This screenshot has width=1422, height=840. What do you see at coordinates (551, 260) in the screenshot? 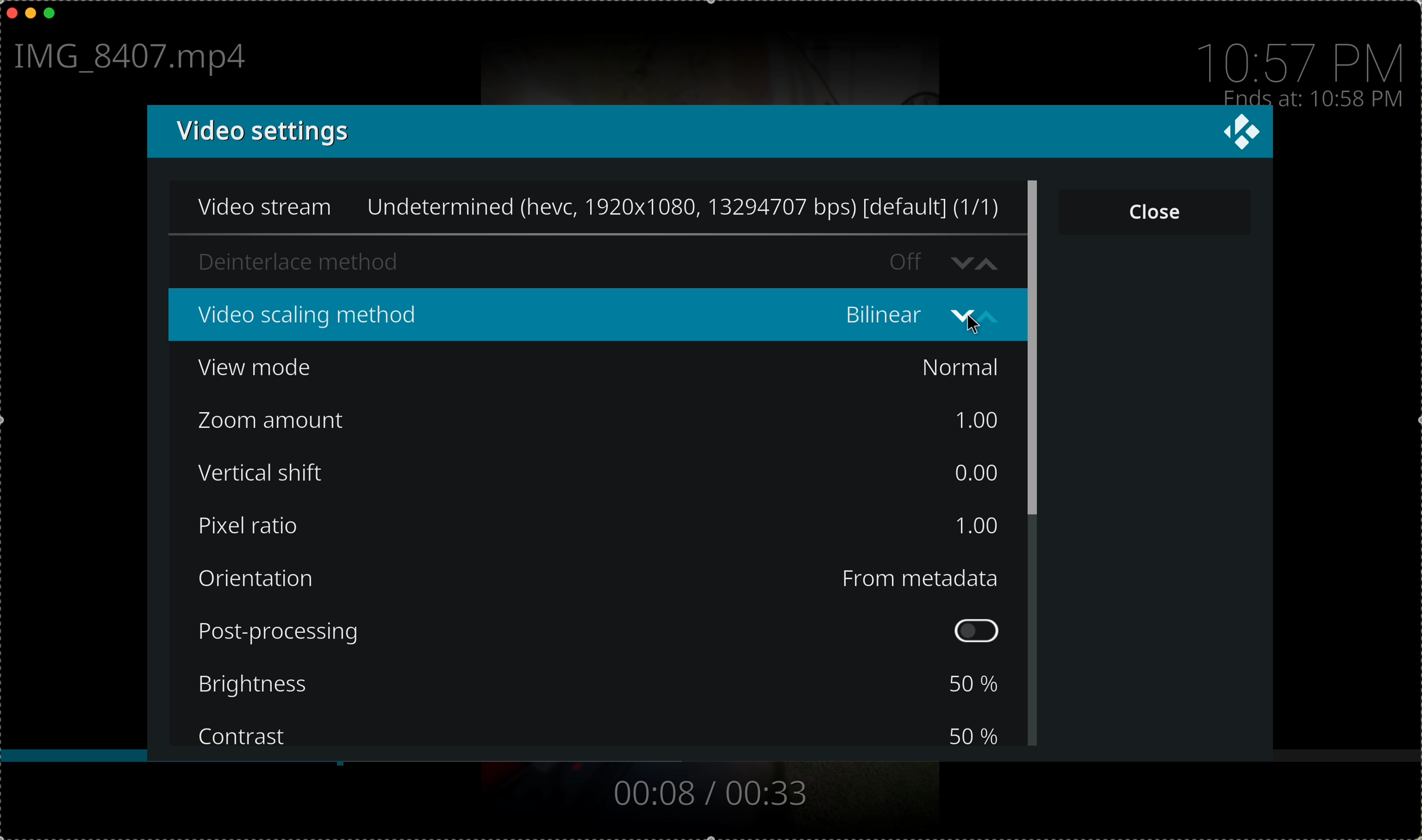
I see `deinterlace method` at bounding box center [551, 260].